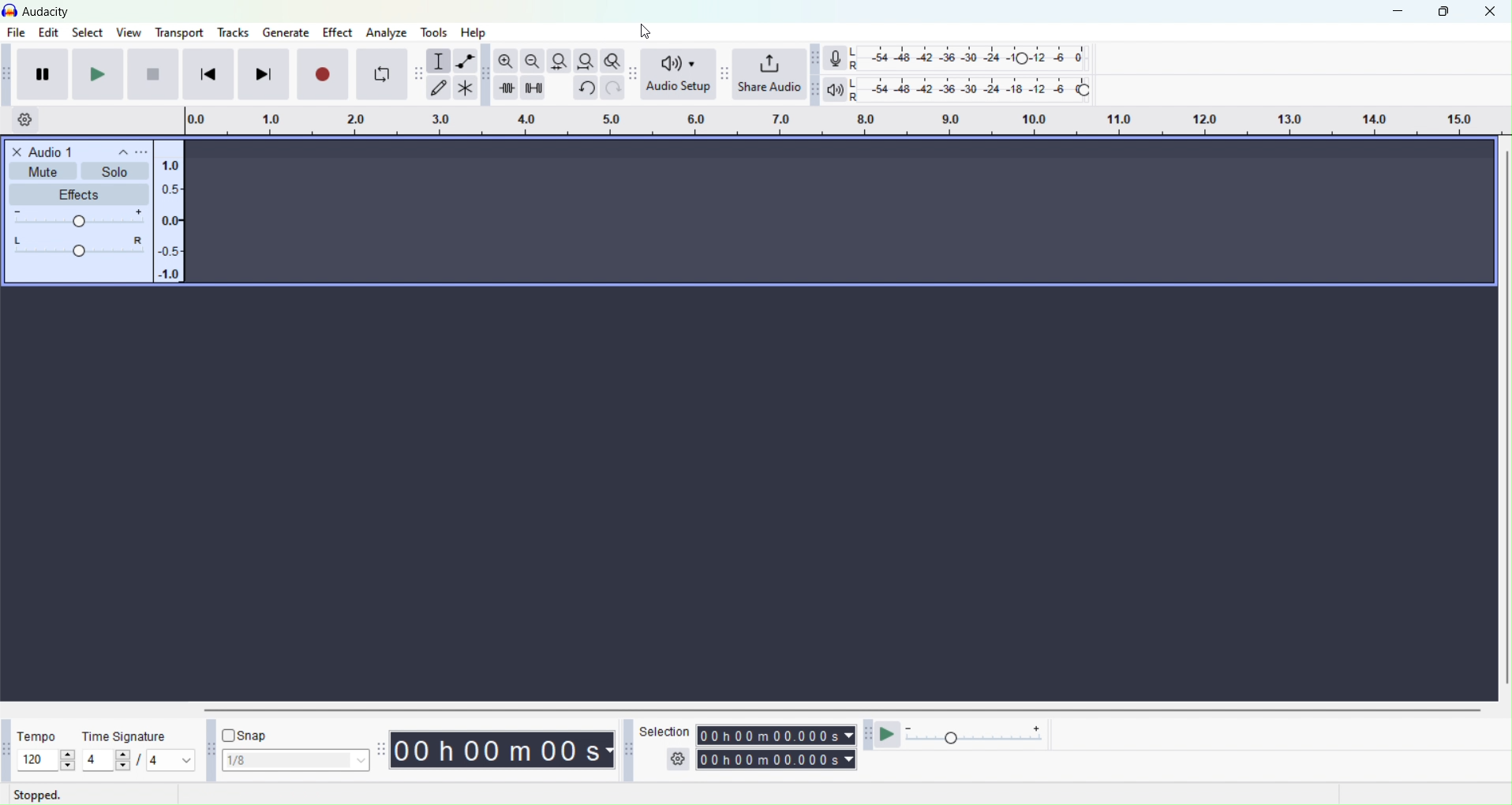 Image resolution: width=1512 pixels, height=805 pixels. I want to click on Audacity playback meter toolbar, so click(816, 89).